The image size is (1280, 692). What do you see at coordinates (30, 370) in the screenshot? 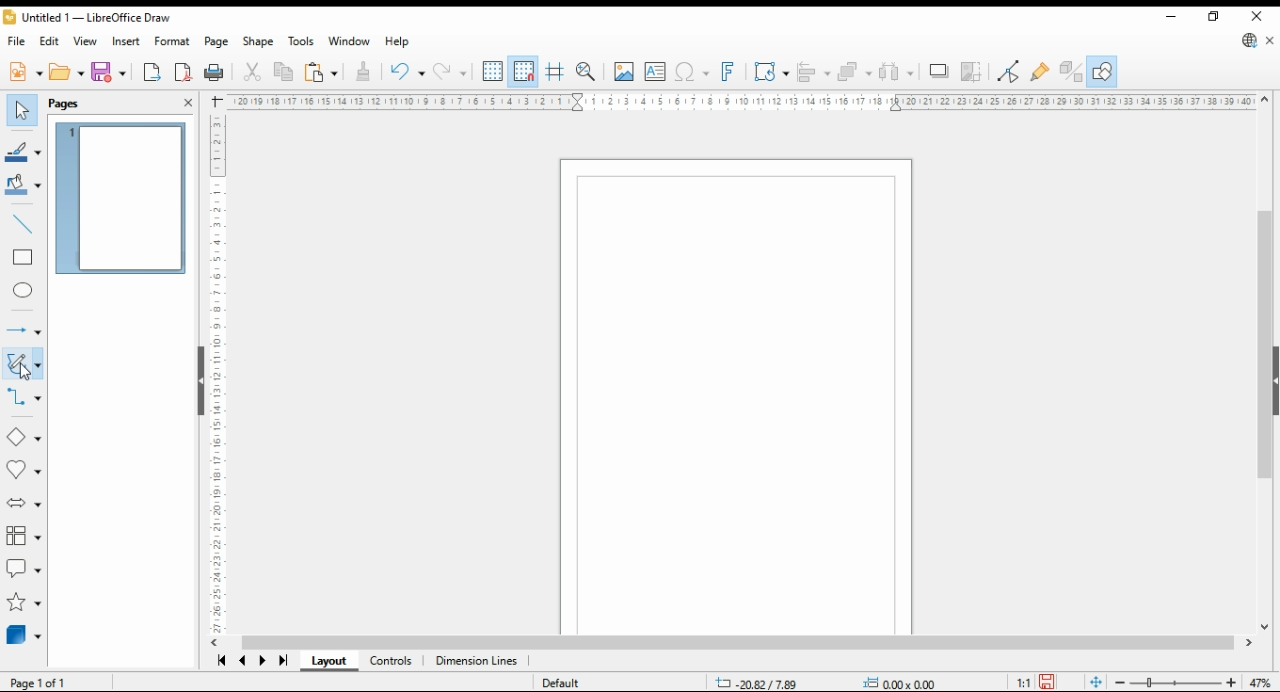
I see `mouse pointer` at bounding box center [30, 370].